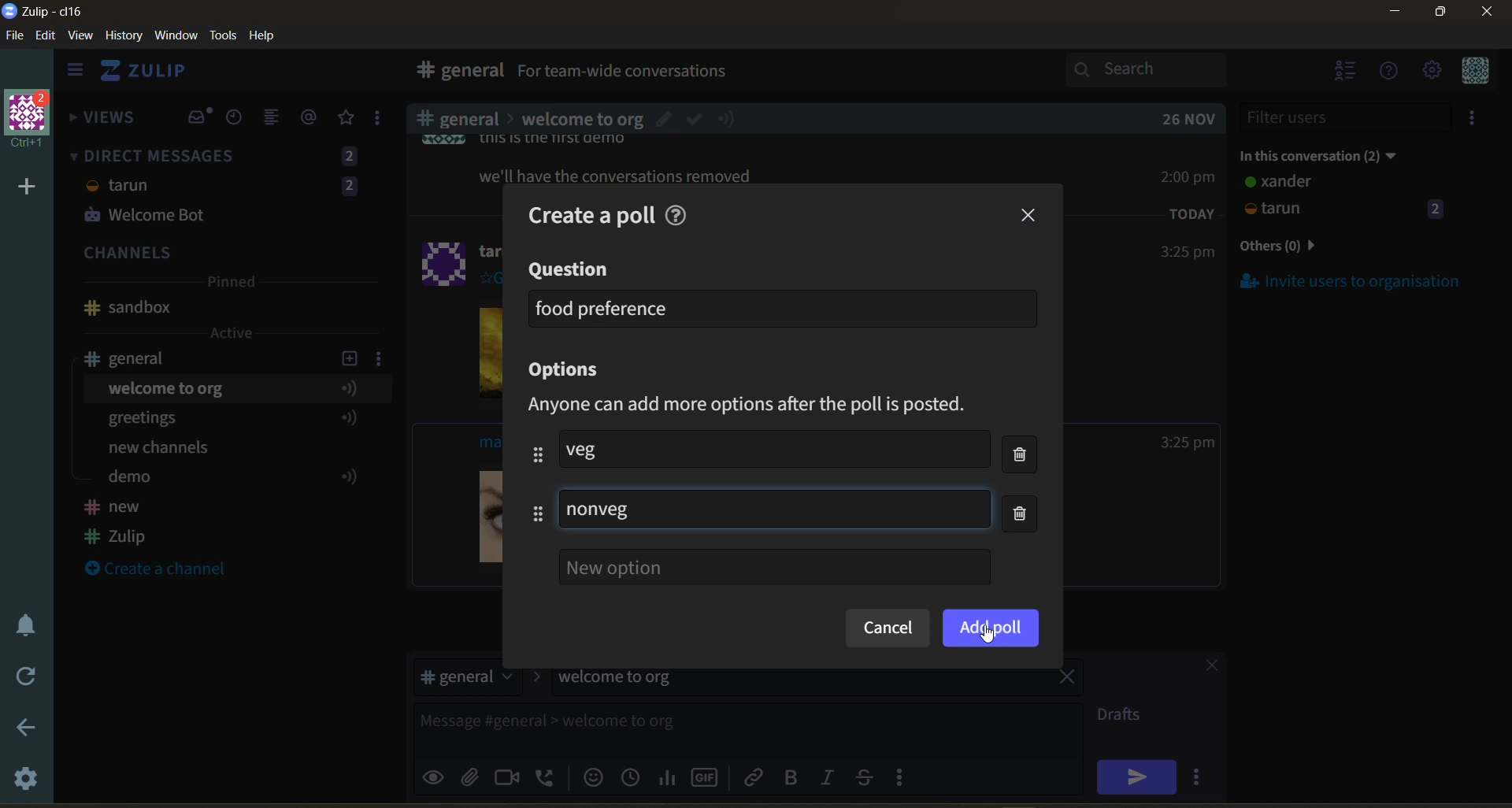 This screenshot has height=808, width=1512. Describe the element at coordinates (1351, 280) in the screenshot. I see `invite users to organisation` at that location.